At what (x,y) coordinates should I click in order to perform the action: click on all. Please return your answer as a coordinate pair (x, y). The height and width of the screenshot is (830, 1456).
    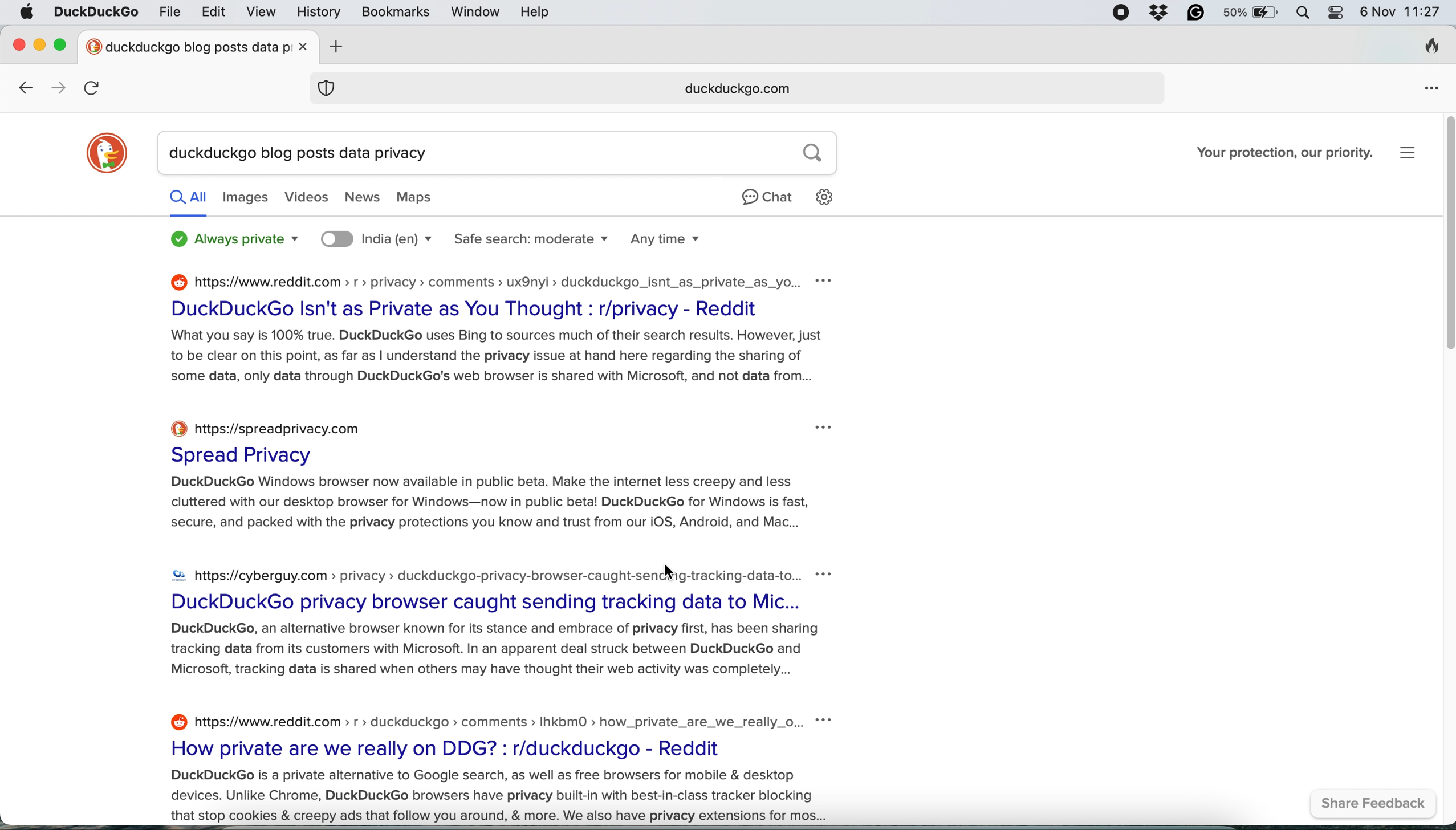
    Looking at the image, I should click on (192, 202).